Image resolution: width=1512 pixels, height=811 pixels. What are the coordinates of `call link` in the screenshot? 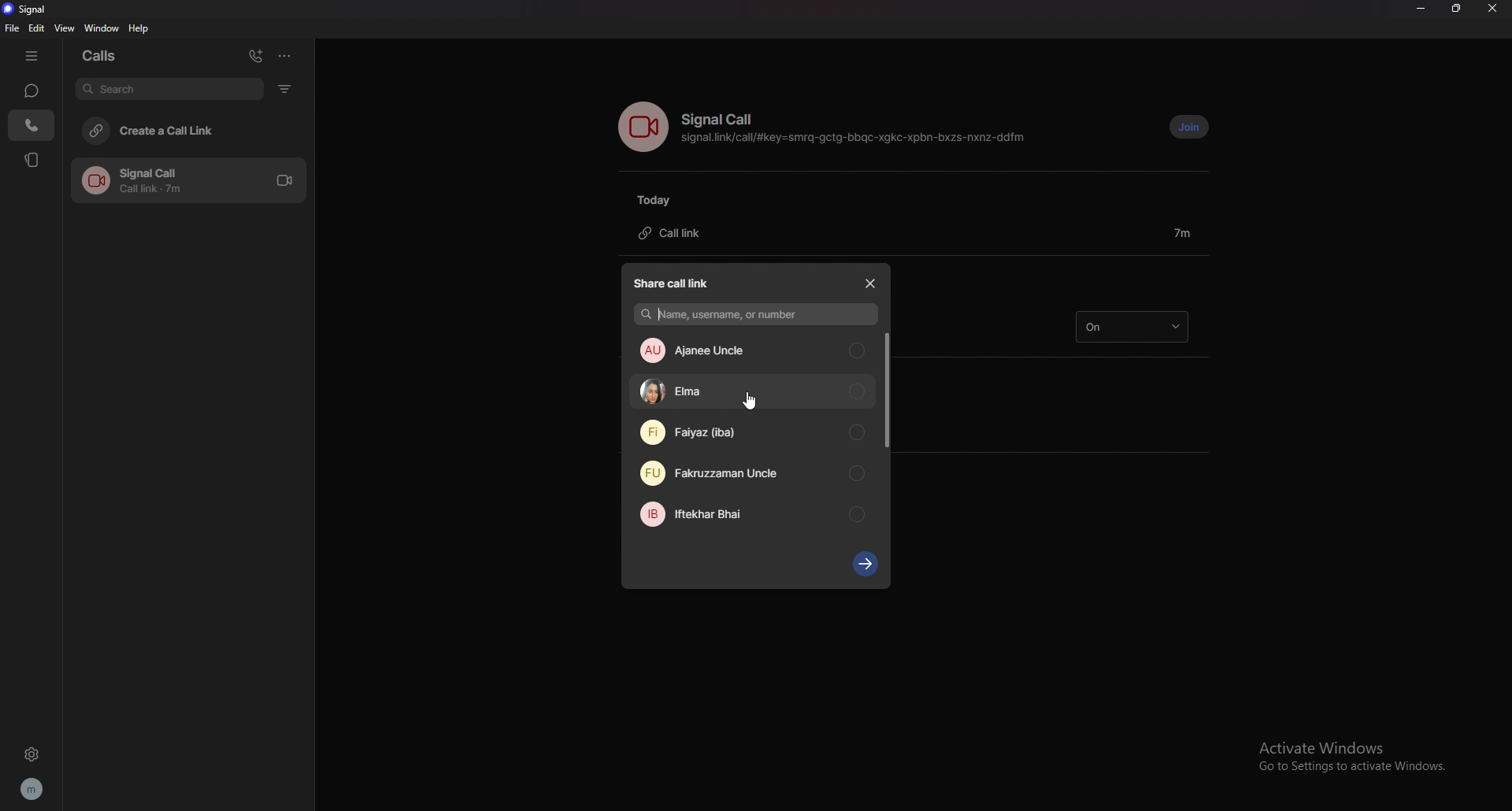 It's located at (679, 235).